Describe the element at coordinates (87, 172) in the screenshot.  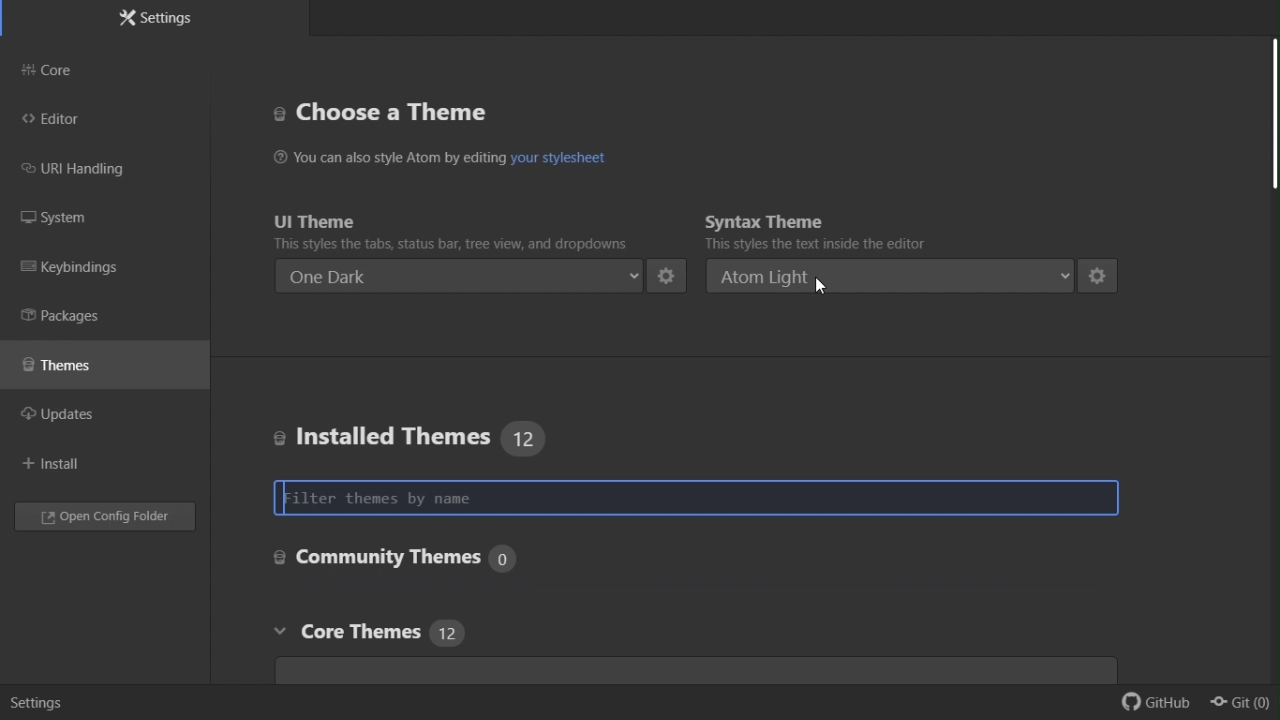
I see `URI handling` at that location.